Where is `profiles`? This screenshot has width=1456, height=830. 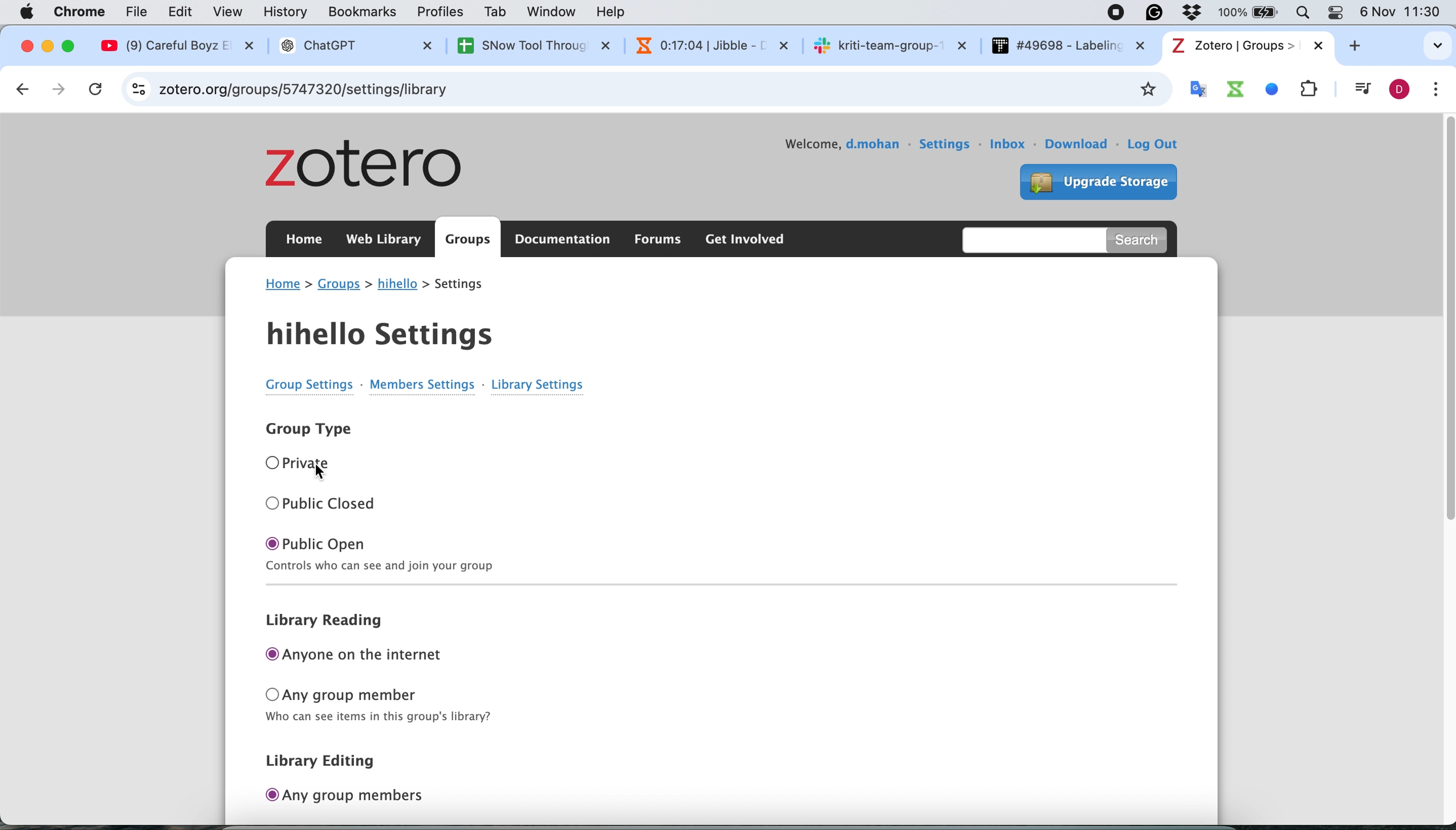 profiles is located at coordinates (442, 11).